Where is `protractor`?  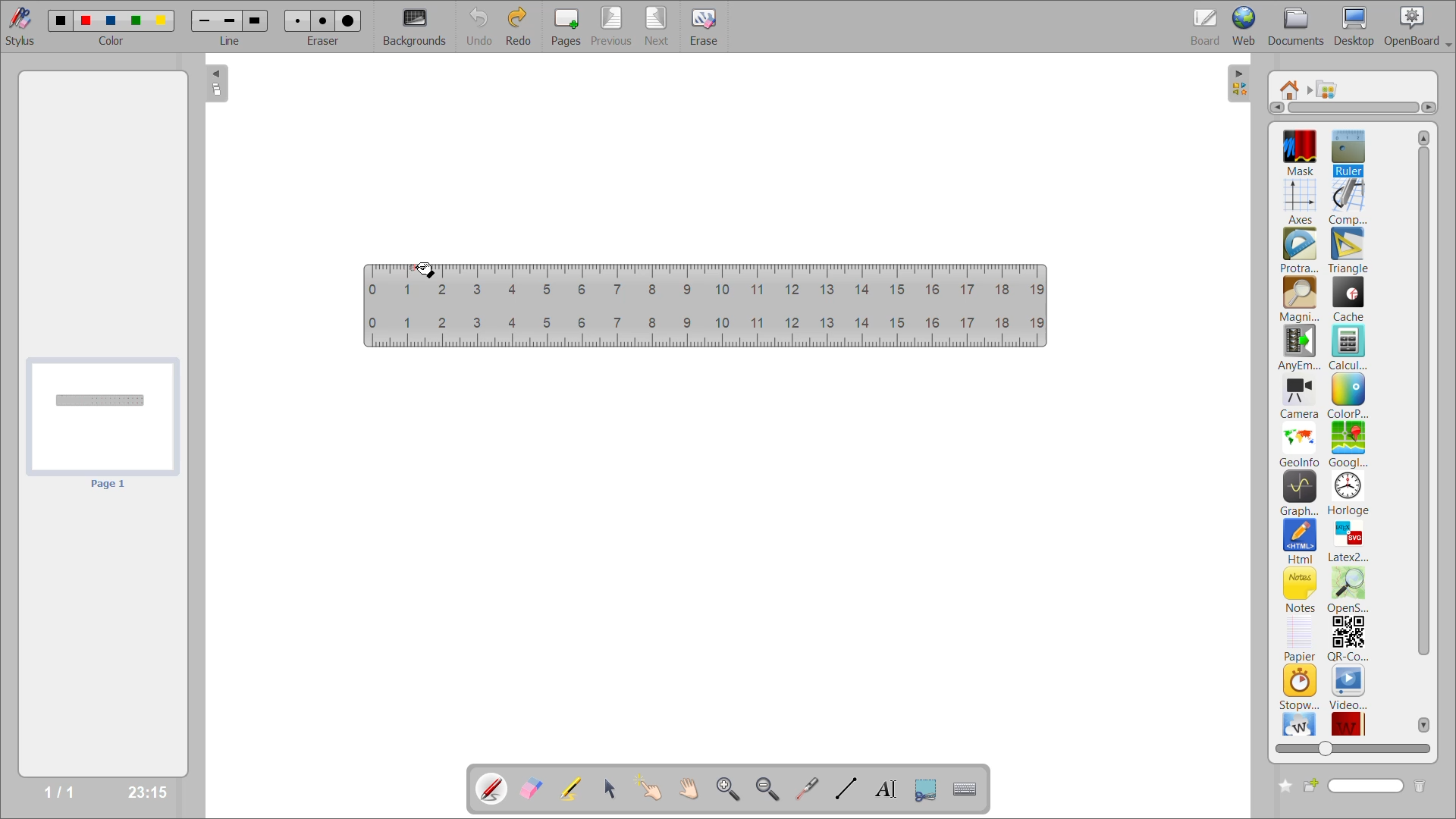
protractor is located at coordinates (1299, 252).